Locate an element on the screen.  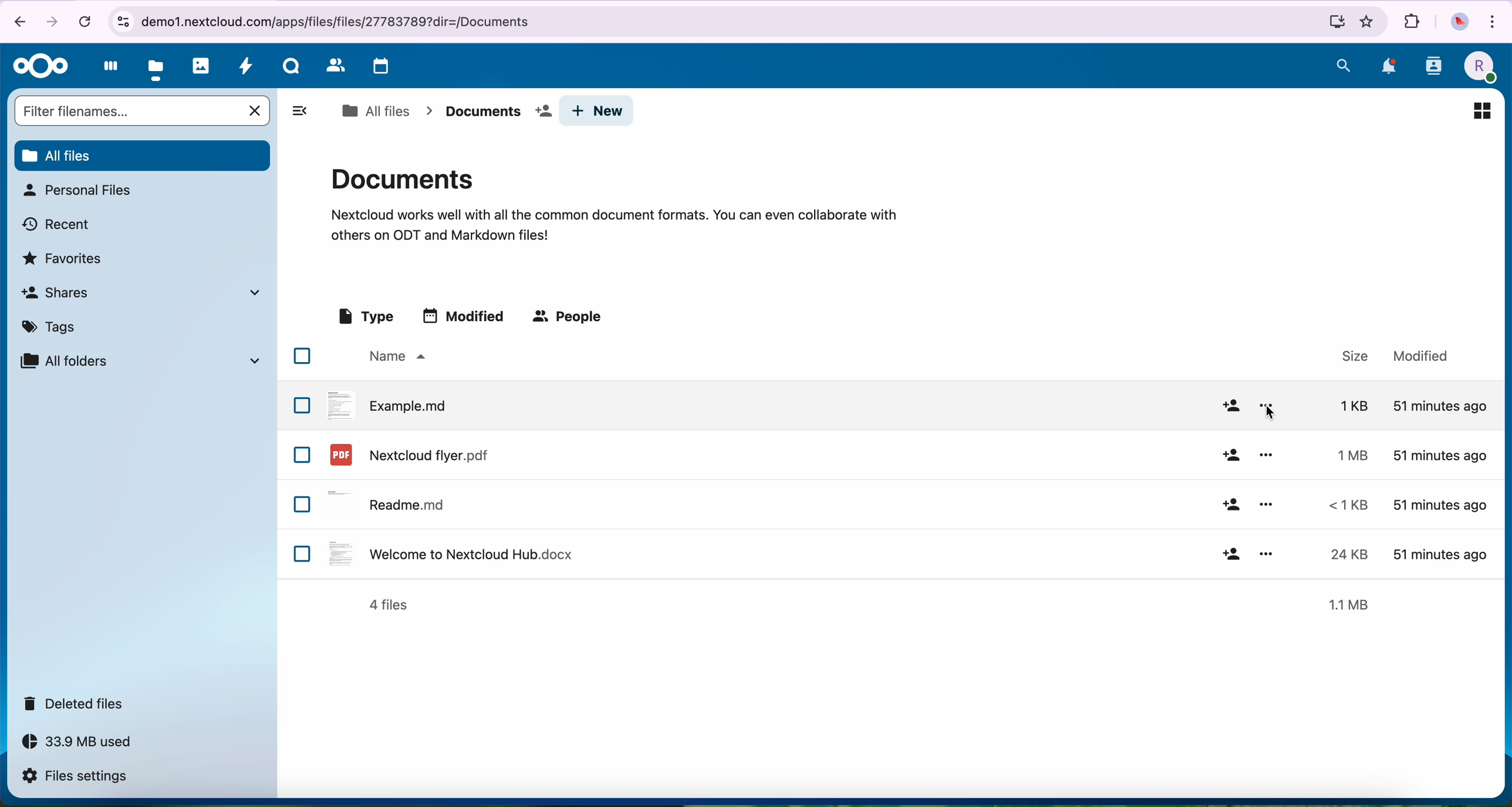
contacts is located at coordinates (333, 66).